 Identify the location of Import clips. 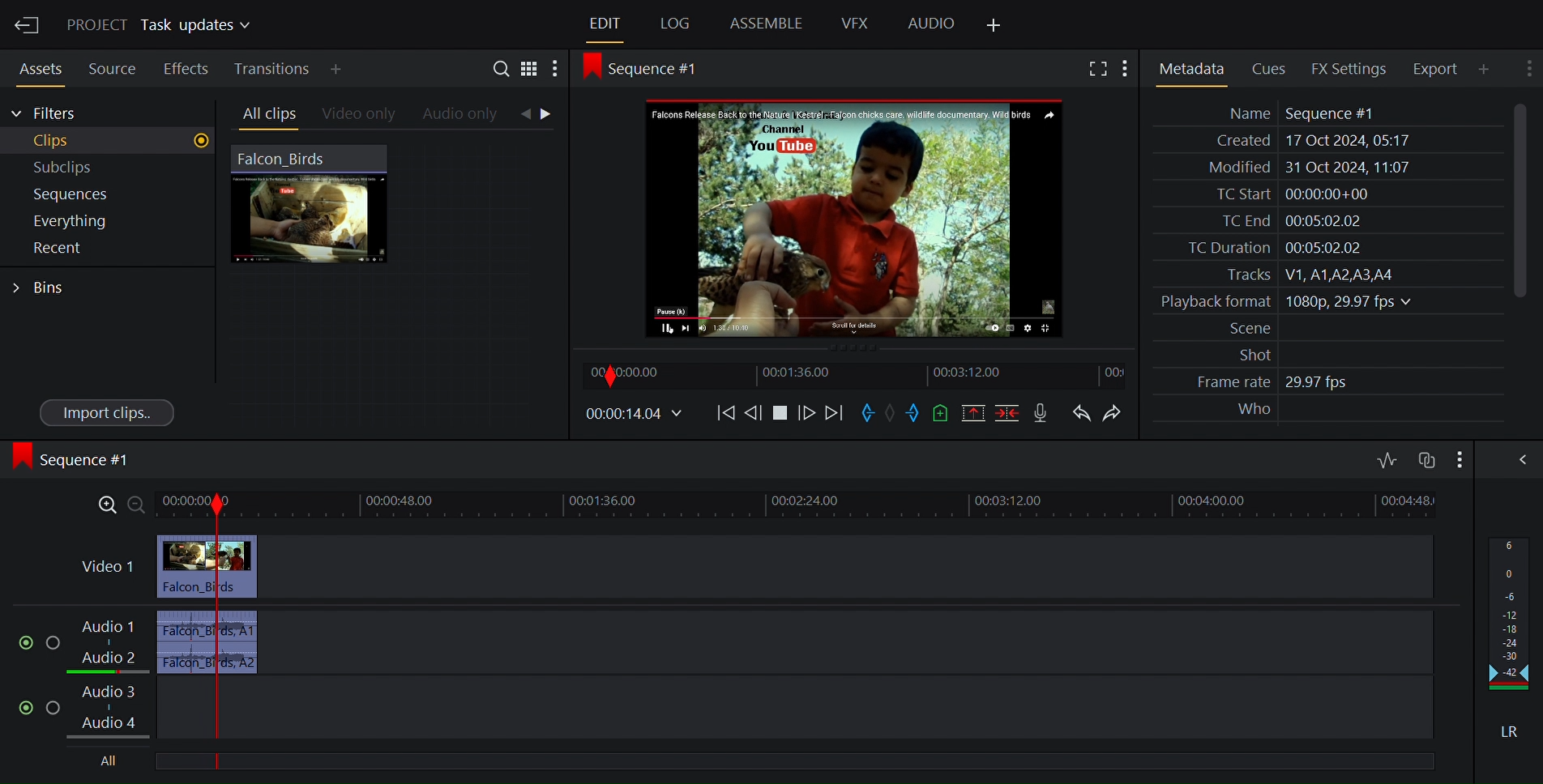
(105, 413).